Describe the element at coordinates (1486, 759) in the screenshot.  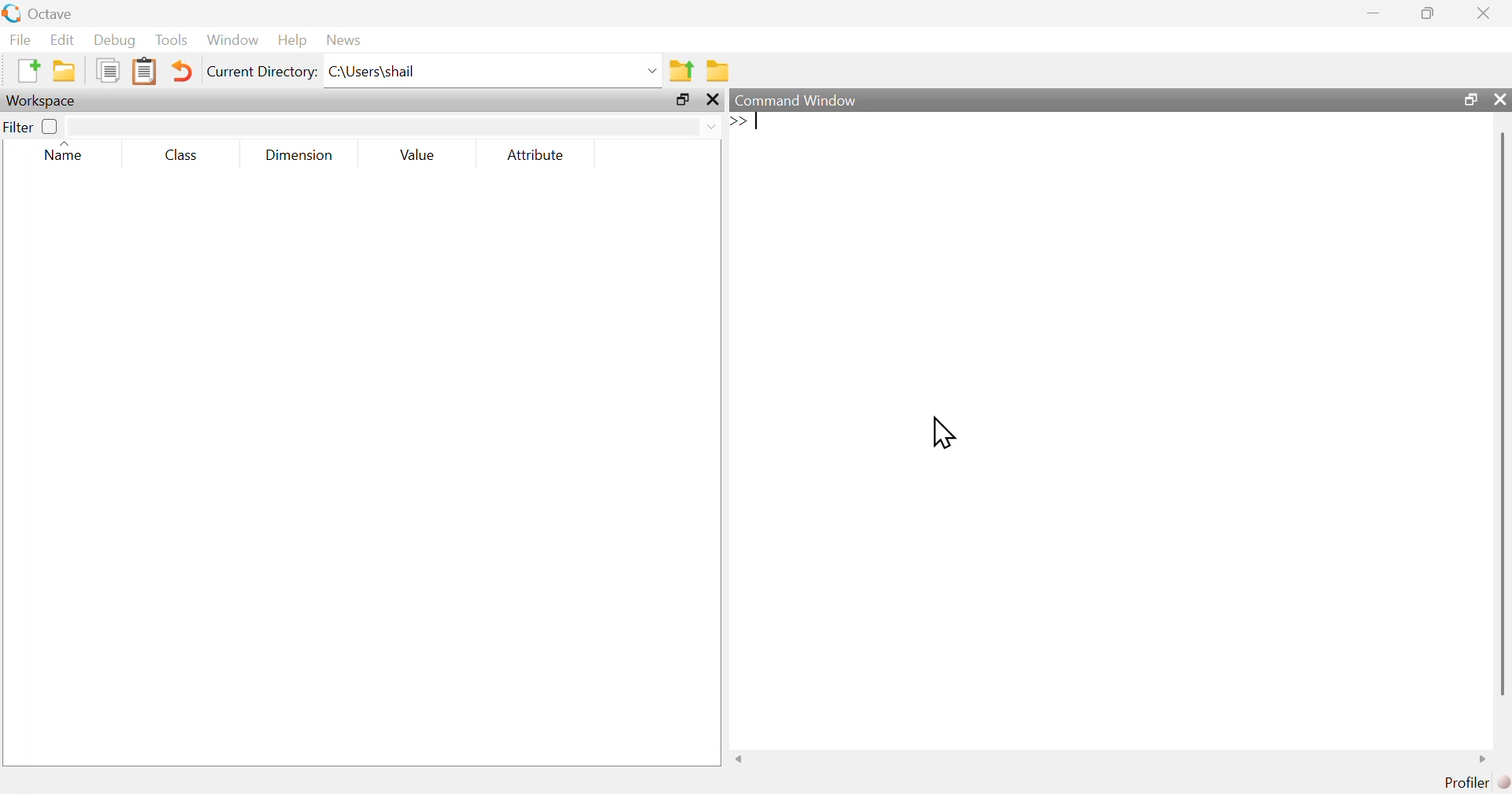
I see `scroll right` at that location.